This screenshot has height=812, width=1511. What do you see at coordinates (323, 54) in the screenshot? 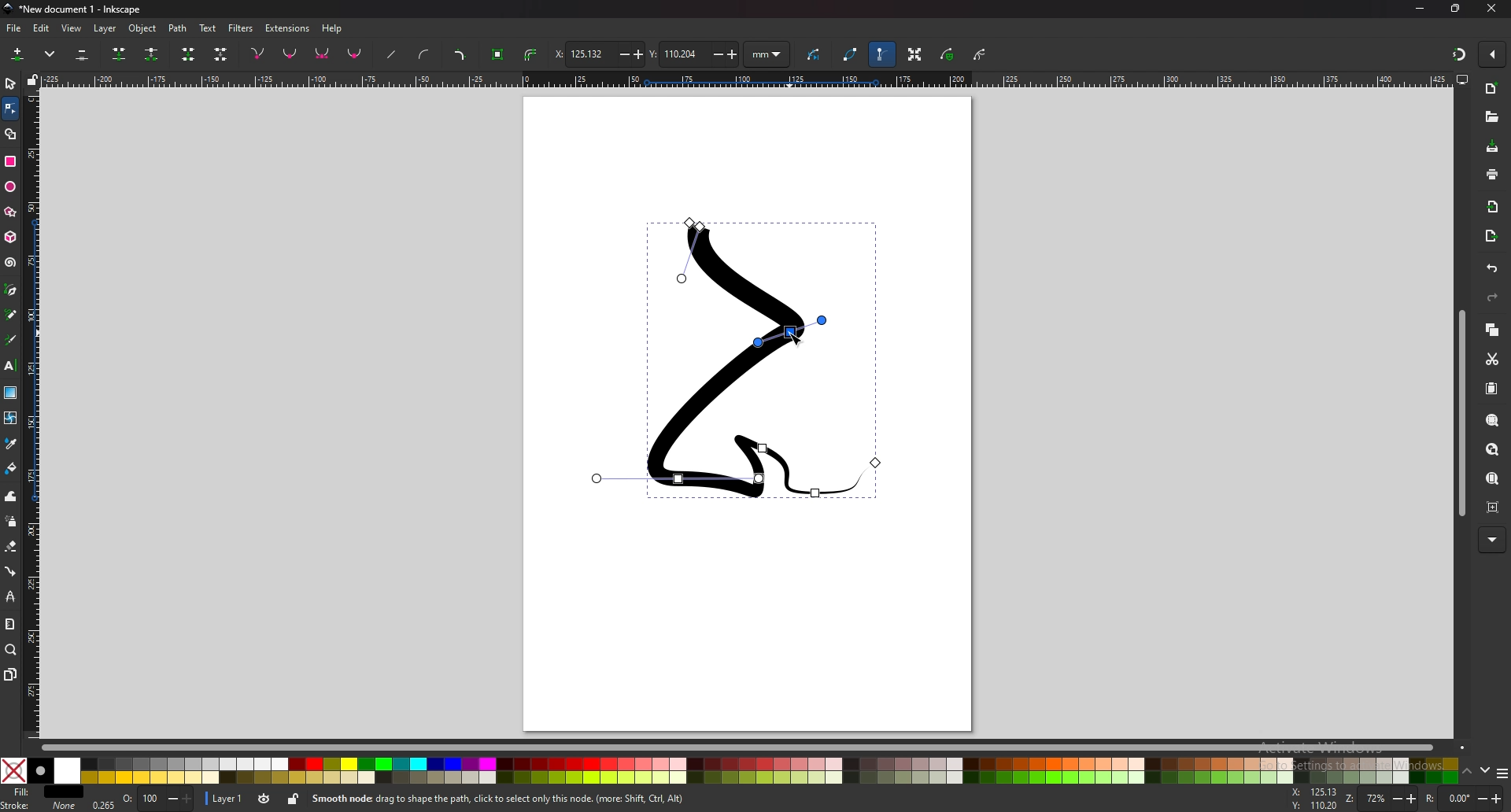
I see `symmetric` at bounding box center [323, 54].